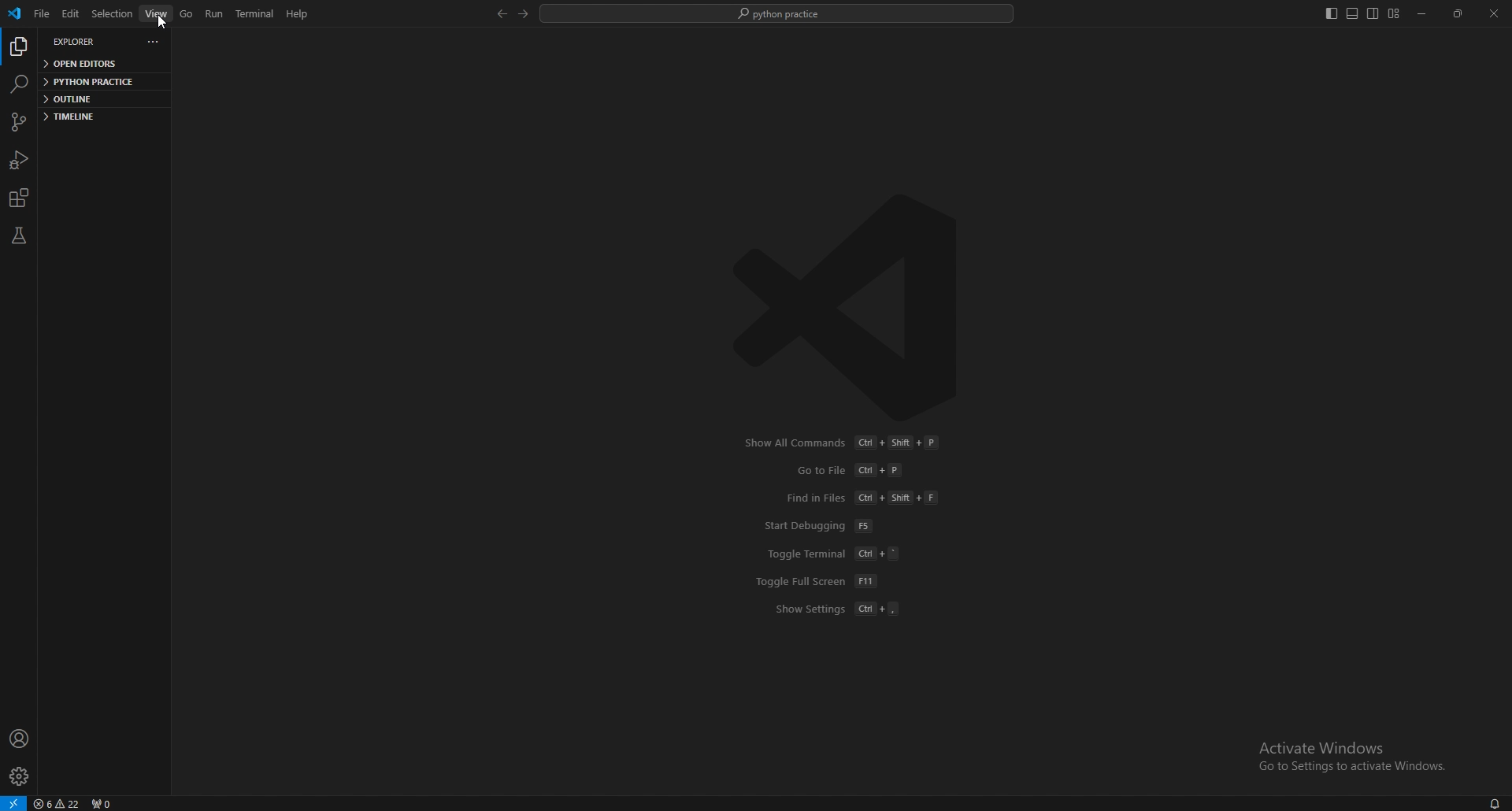  What do you see at coordinates (1394, 13) in the screenshot?
I see `customize layout` at bounding box center [1394, 13].